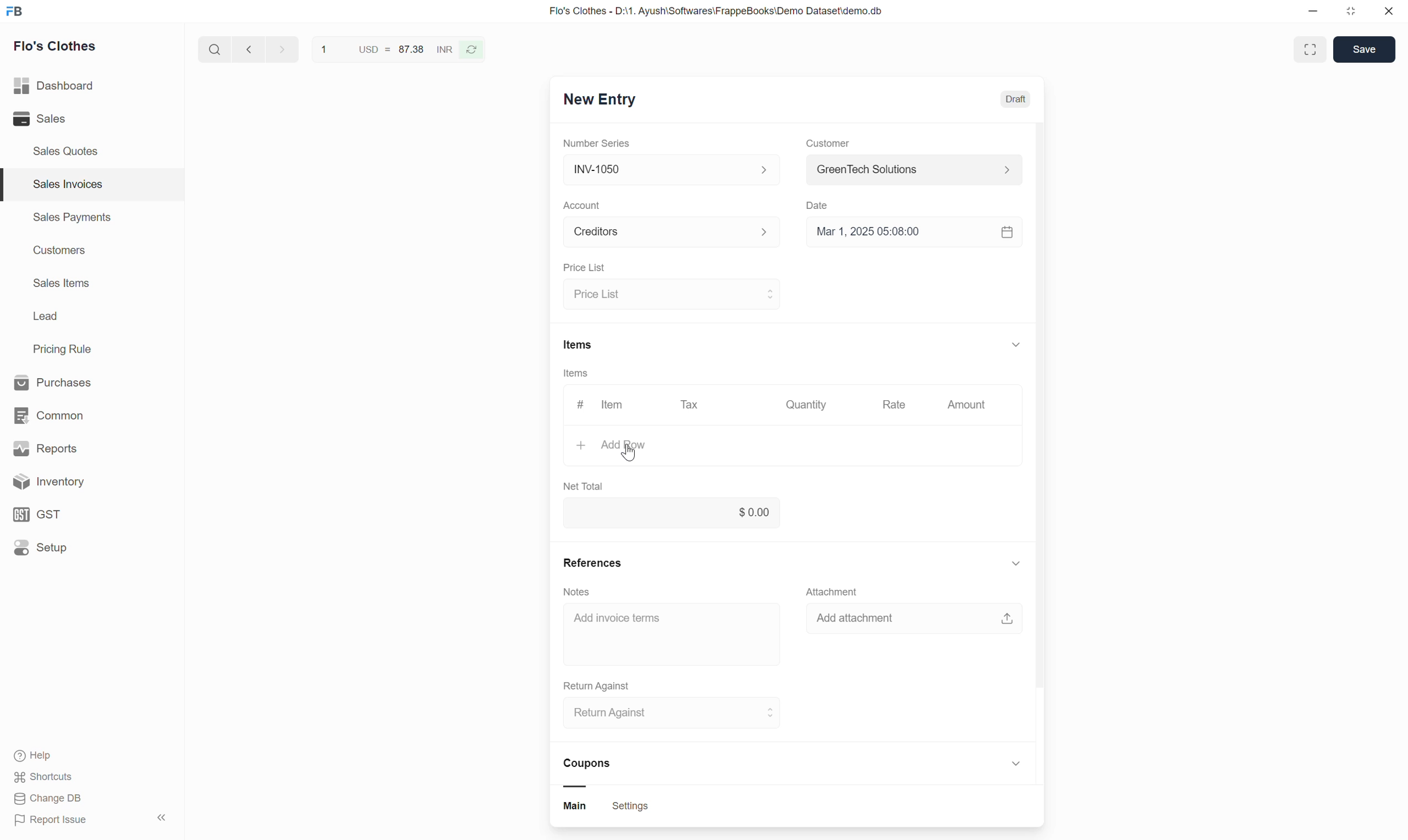  What do you see at coordinates (577, 591) in the screenshot?
I see `Notes` at bounding box center [577, 591].